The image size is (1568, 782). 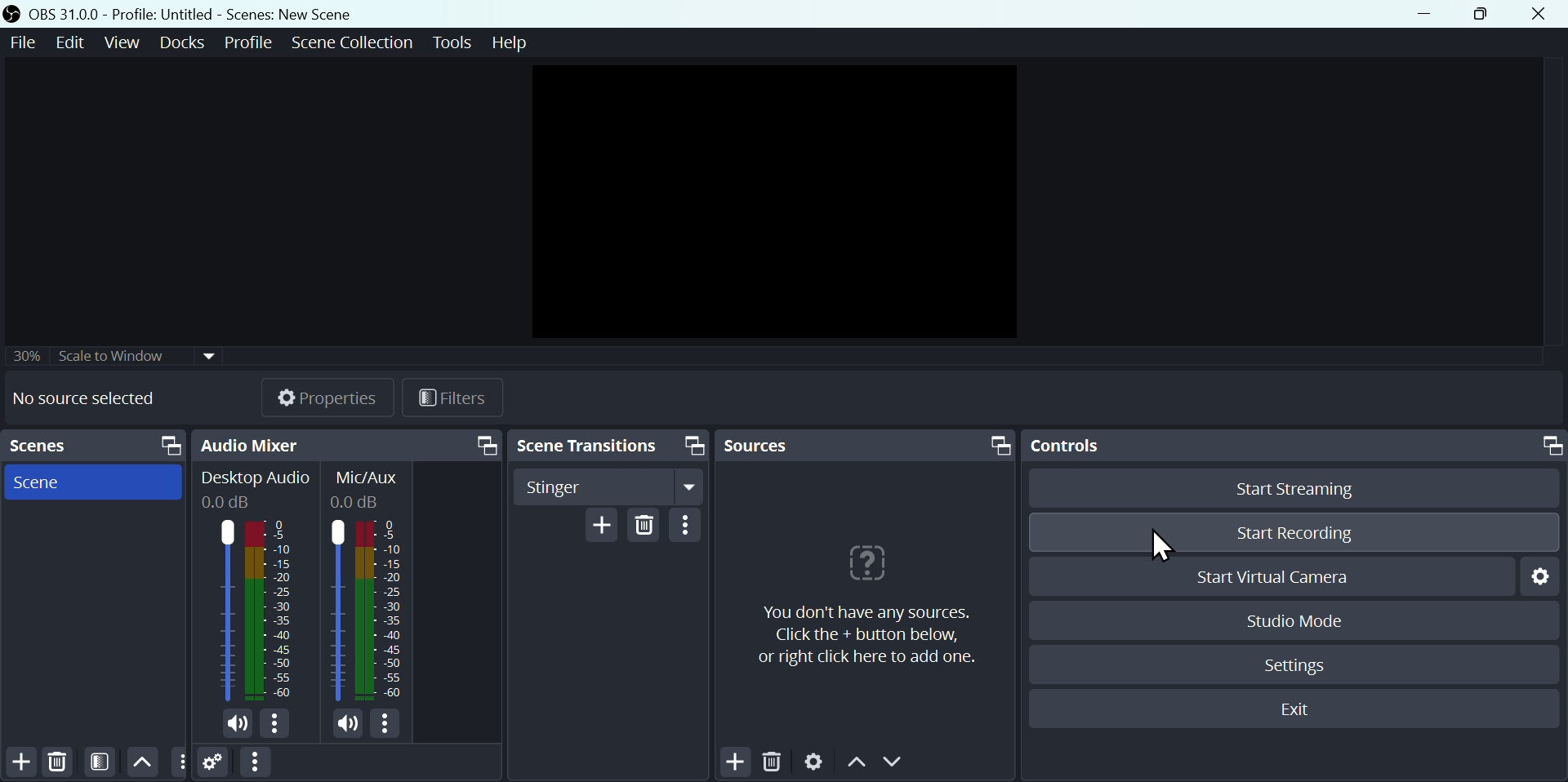 What do you see at coordinates (99, 760) in the screenshot?
I see `Filter` at bounding box center [99, 760].